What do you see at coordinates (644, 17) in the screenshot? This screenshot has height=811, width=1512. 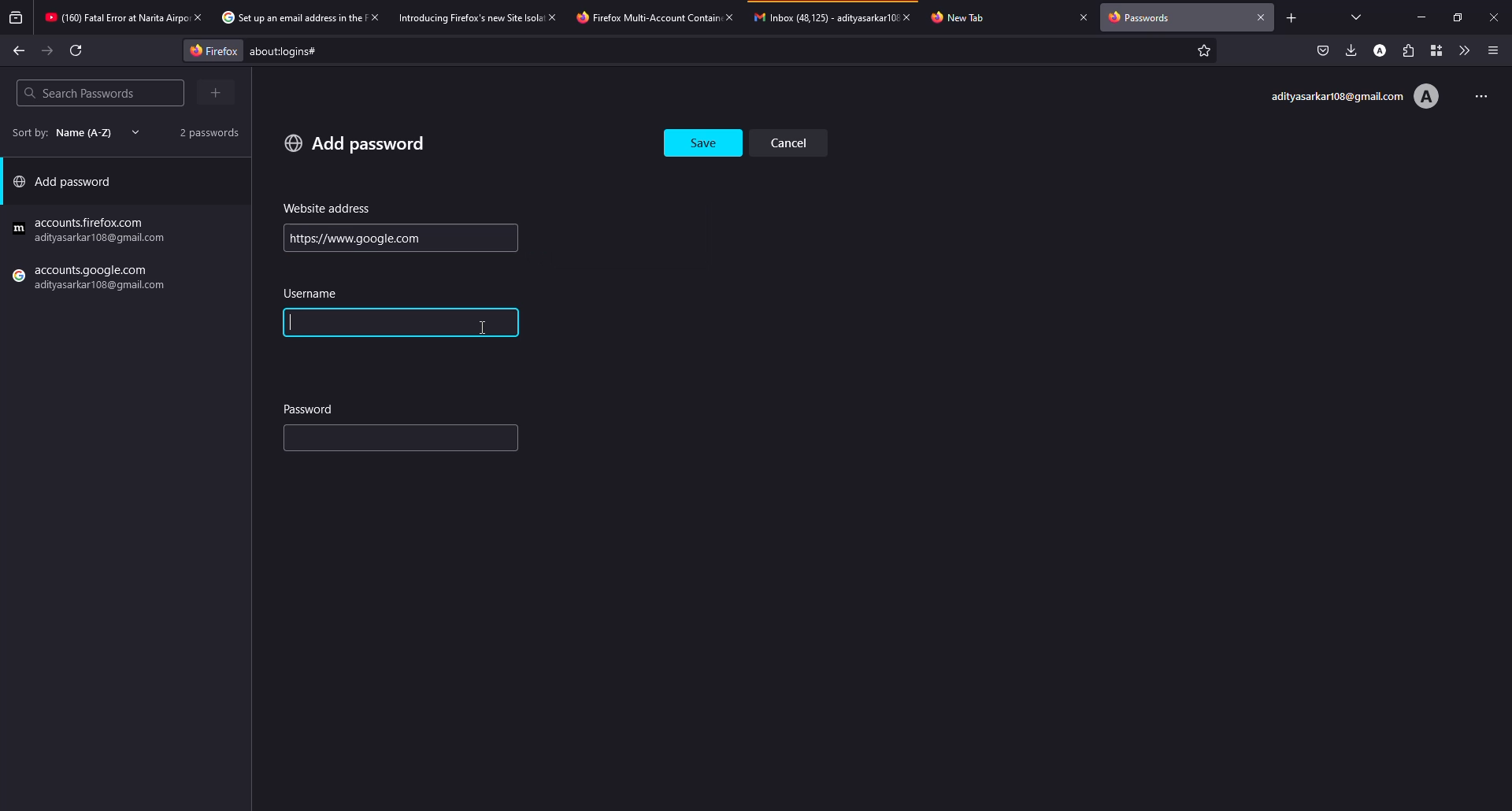 I see `tab` at bounding box center [644, 17].